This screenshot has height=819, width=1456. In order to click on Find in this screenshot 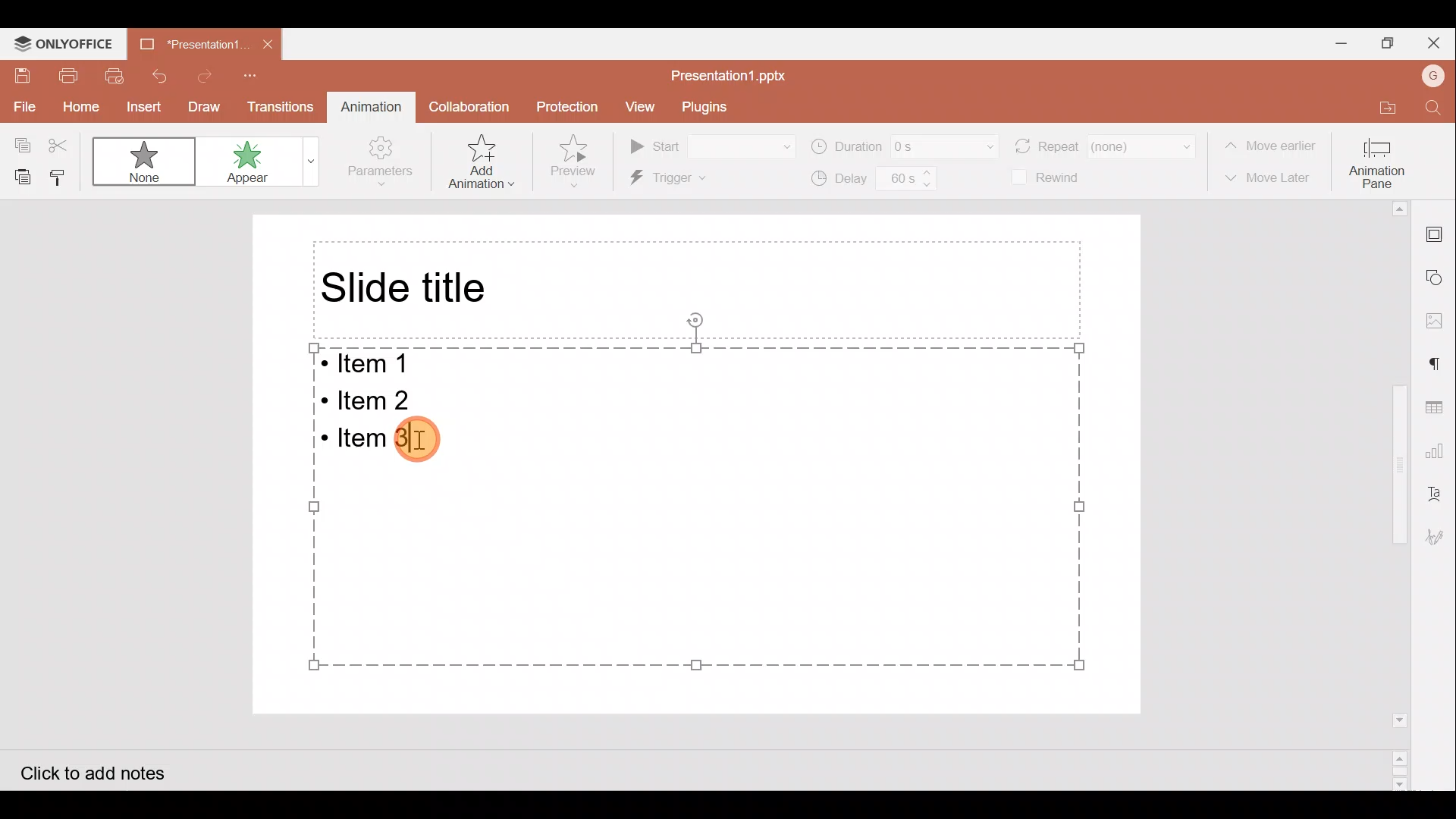, I will do `click(1432, 107)`.